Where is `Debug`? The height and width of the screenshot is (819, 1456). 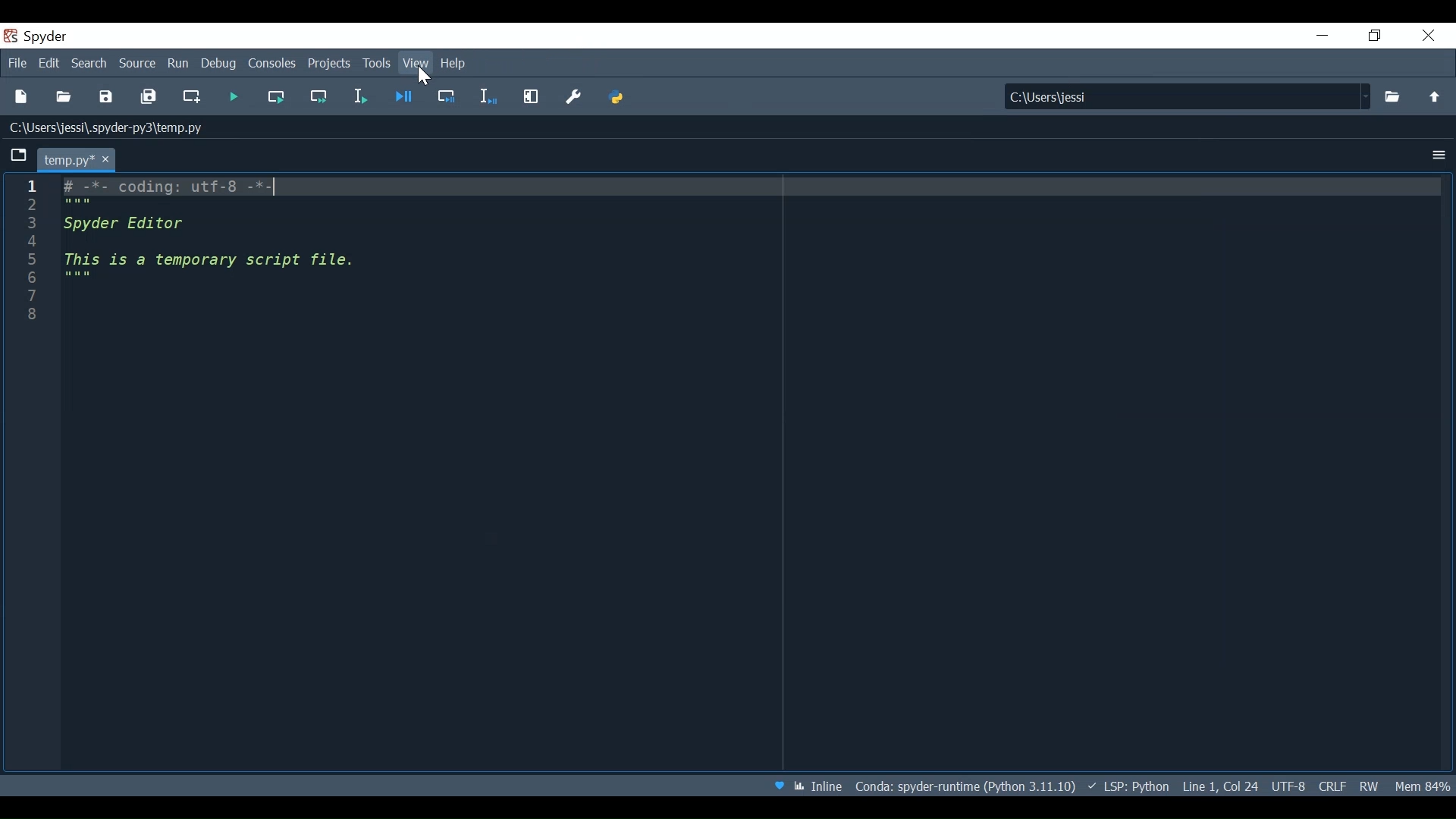 Debug is located at coordinates (219, 64).